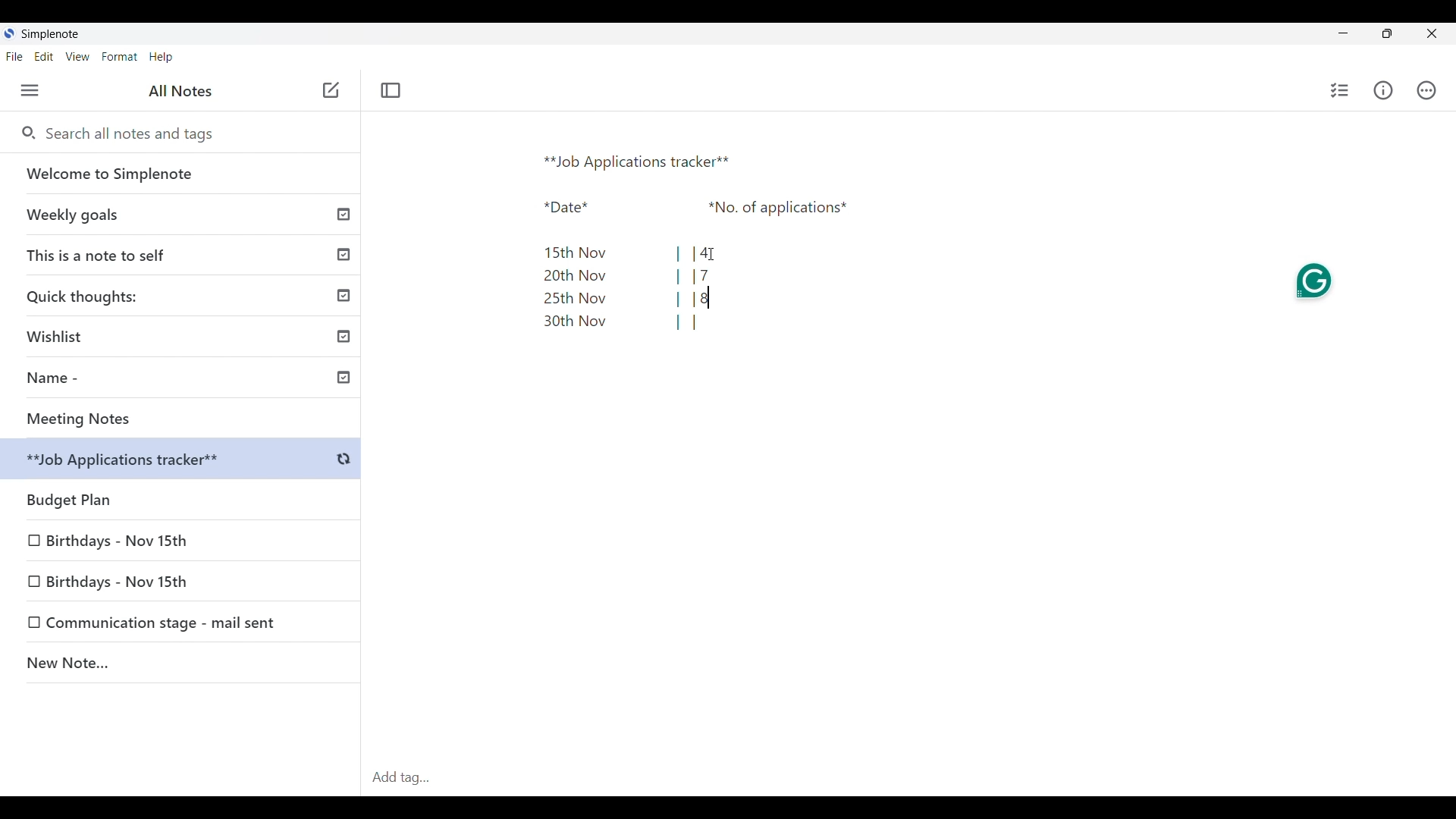 This screenshot has width=1456, height=819. I want to click on Quick thoughts, so click(183, 295).